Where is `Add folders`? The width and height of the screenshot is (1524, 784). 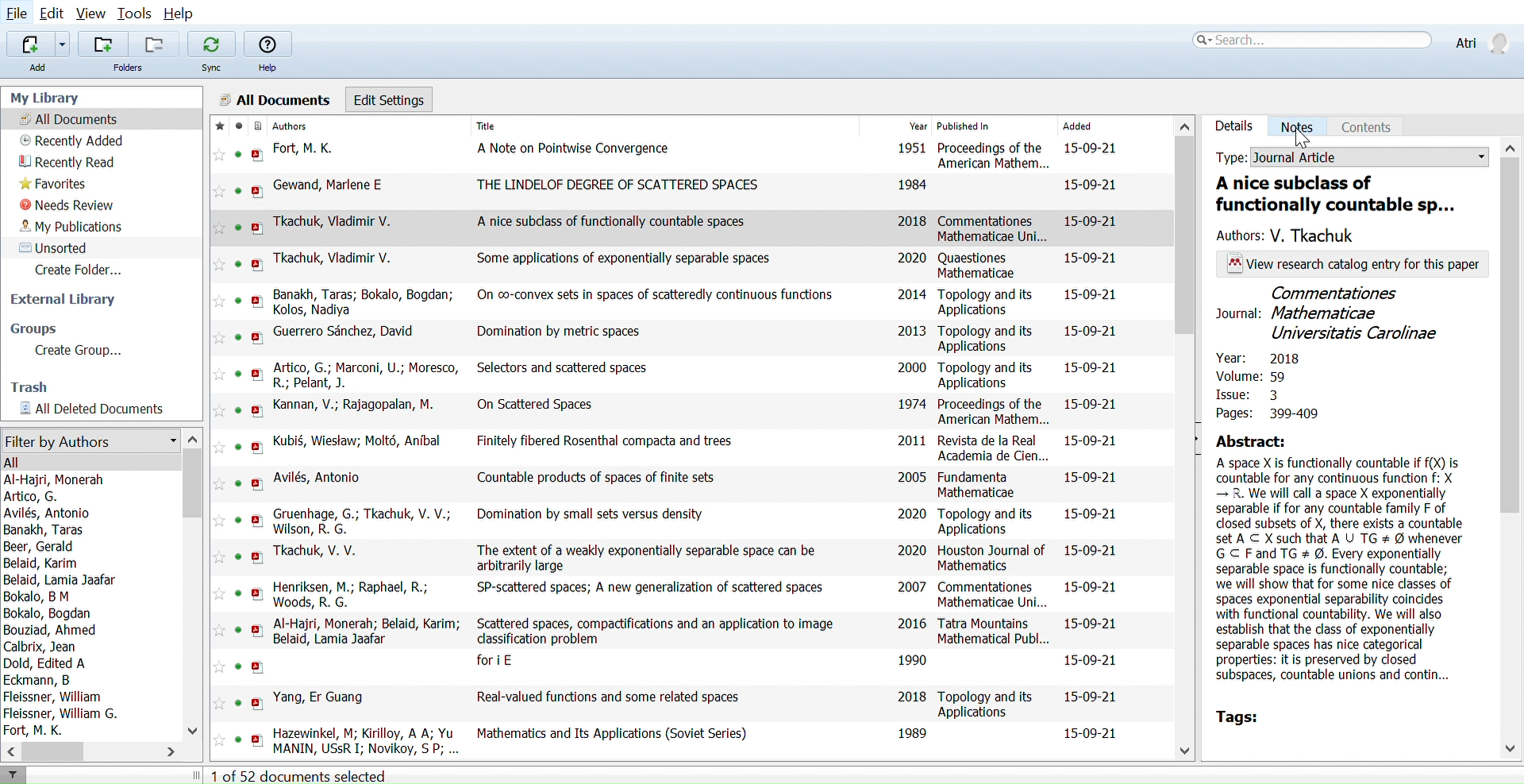
Add folders is located at coordinates (103, 44).